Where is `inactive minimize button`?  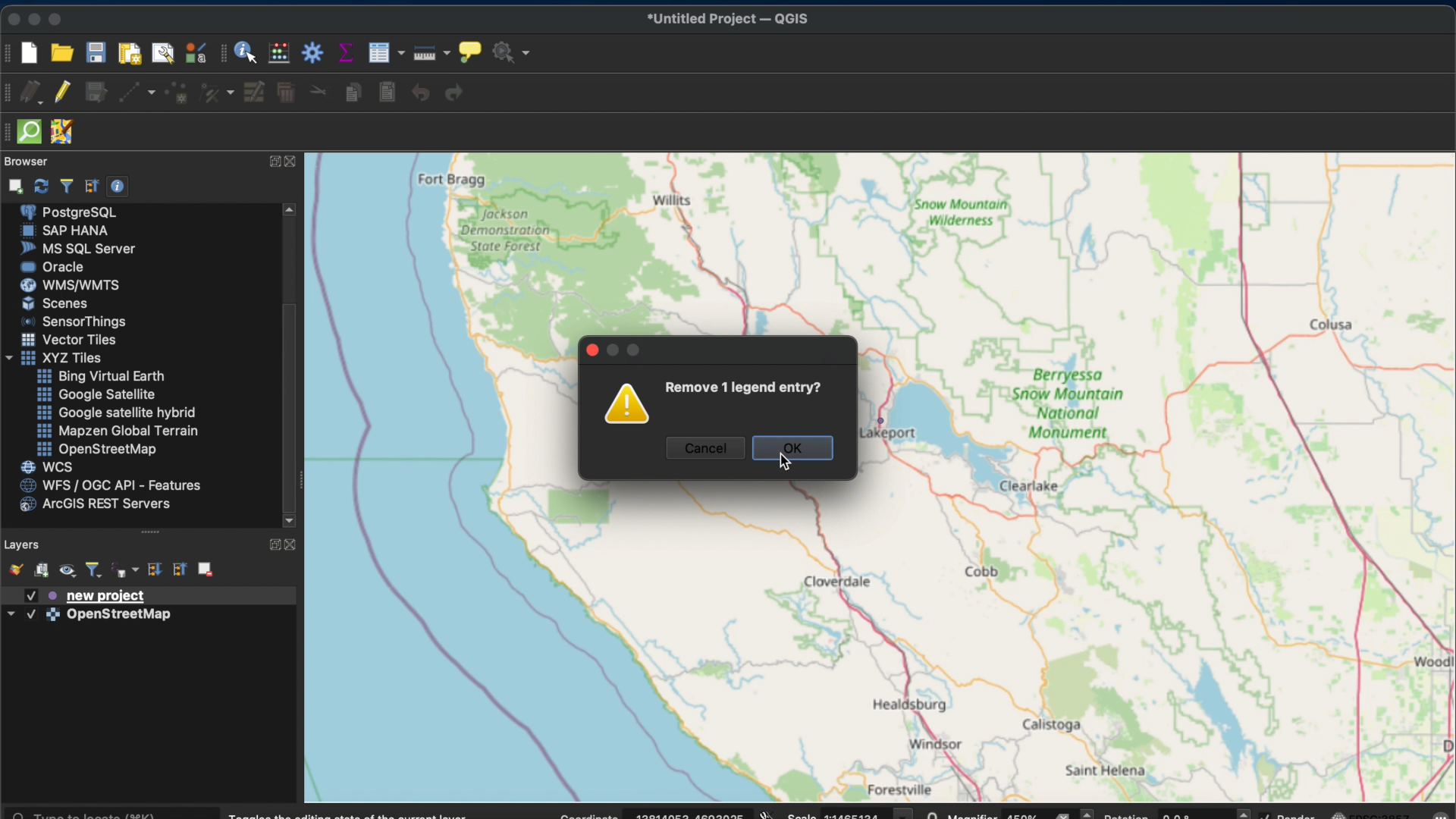
inactive minimize button is located at coordinates (613, 351).